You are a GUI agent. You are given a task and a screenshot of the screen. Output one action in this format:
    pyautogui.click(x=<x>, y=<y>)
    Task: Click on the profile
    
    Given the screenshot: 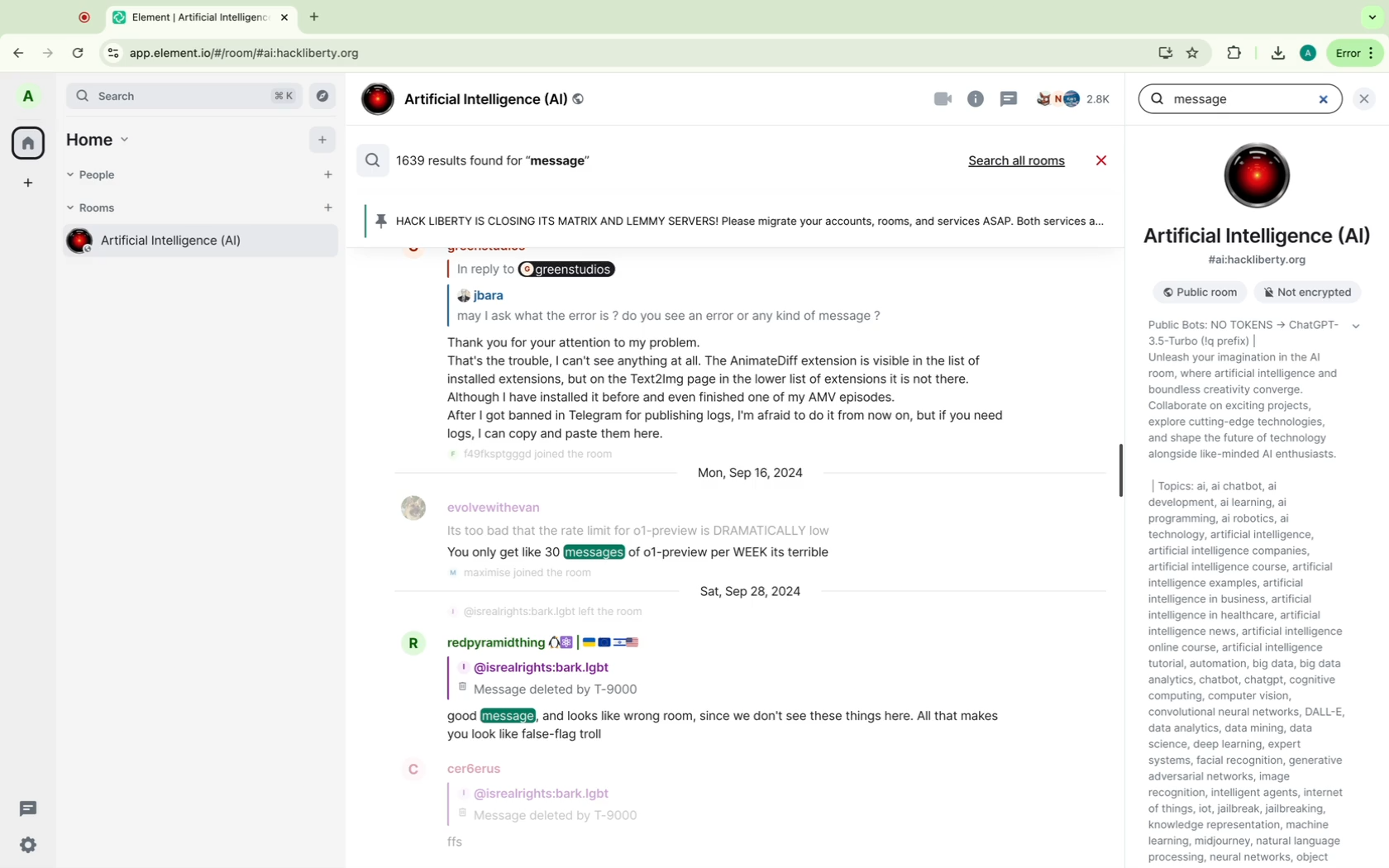 What is the action you would take?
    pyautogui.click(x=460, y=767)
    